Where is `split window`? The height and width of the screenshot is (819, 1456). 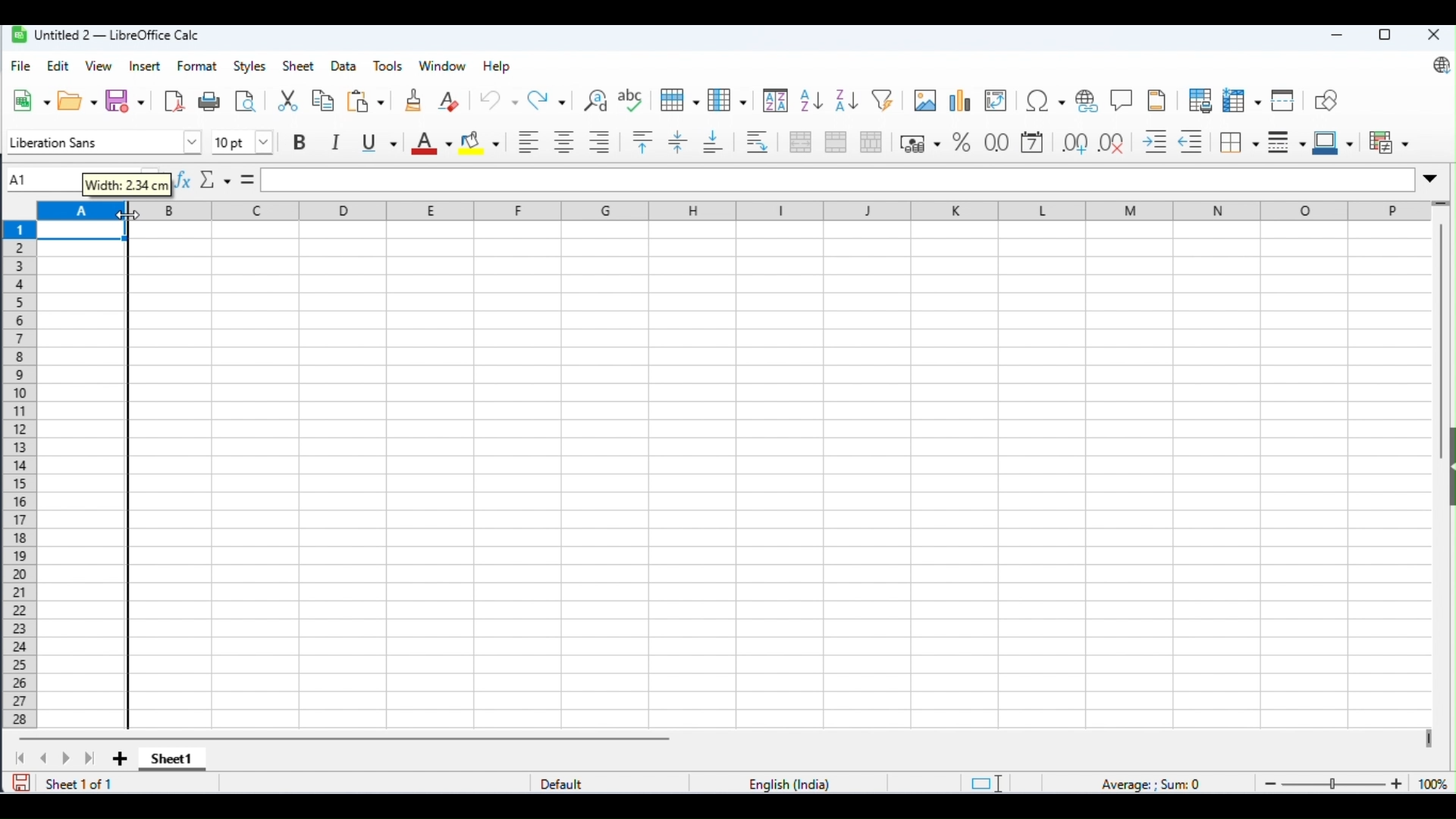
split window is located at coordinates (1285, 100).